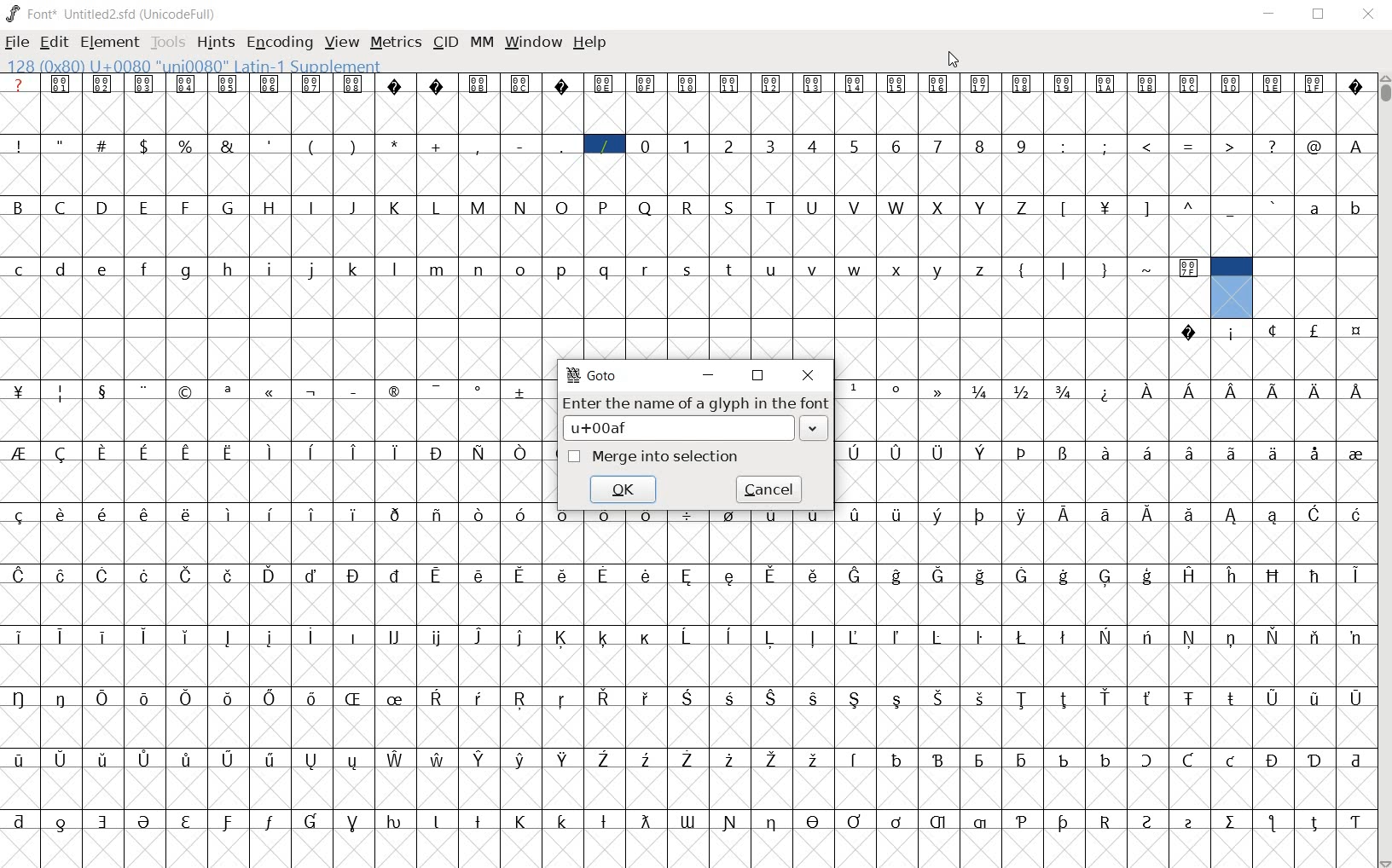  Describe the element at coordinates (230, 757) in the screenshot. I see `Symbol` at that location.